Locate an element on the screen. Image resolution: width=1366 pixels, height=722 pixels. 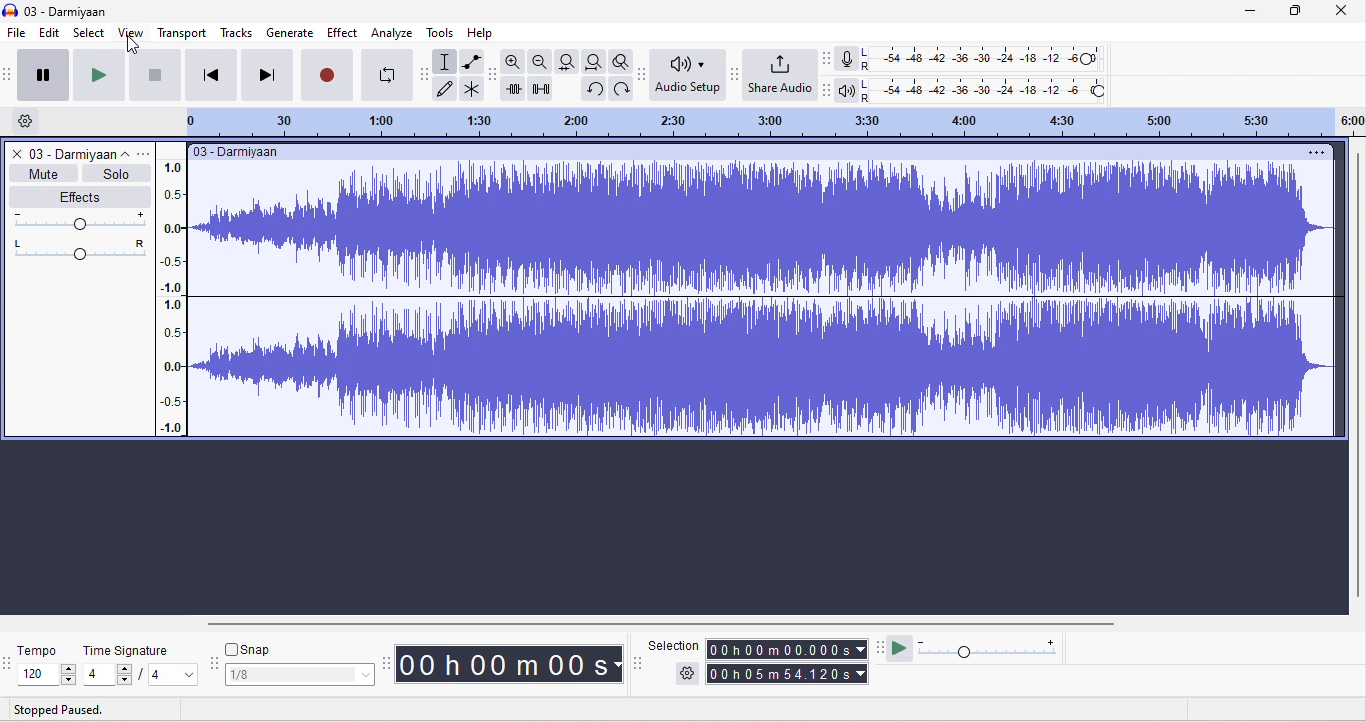
help is located at coordinates (482, 33).